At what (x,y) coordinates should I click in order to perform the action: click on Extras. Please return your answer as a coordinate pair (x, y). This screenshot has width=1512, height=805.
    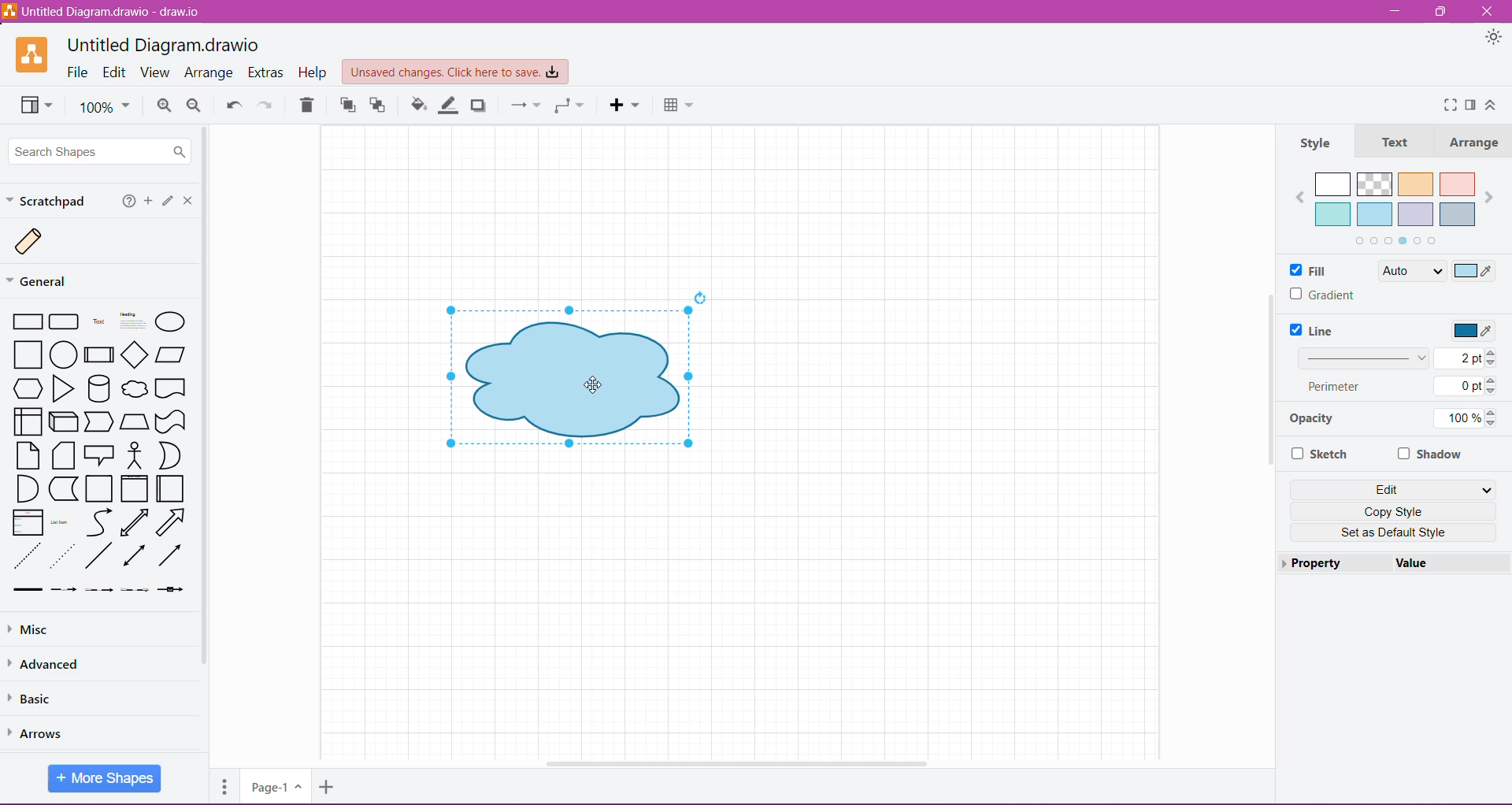
    Looking at the image, I should click on (267, 72).